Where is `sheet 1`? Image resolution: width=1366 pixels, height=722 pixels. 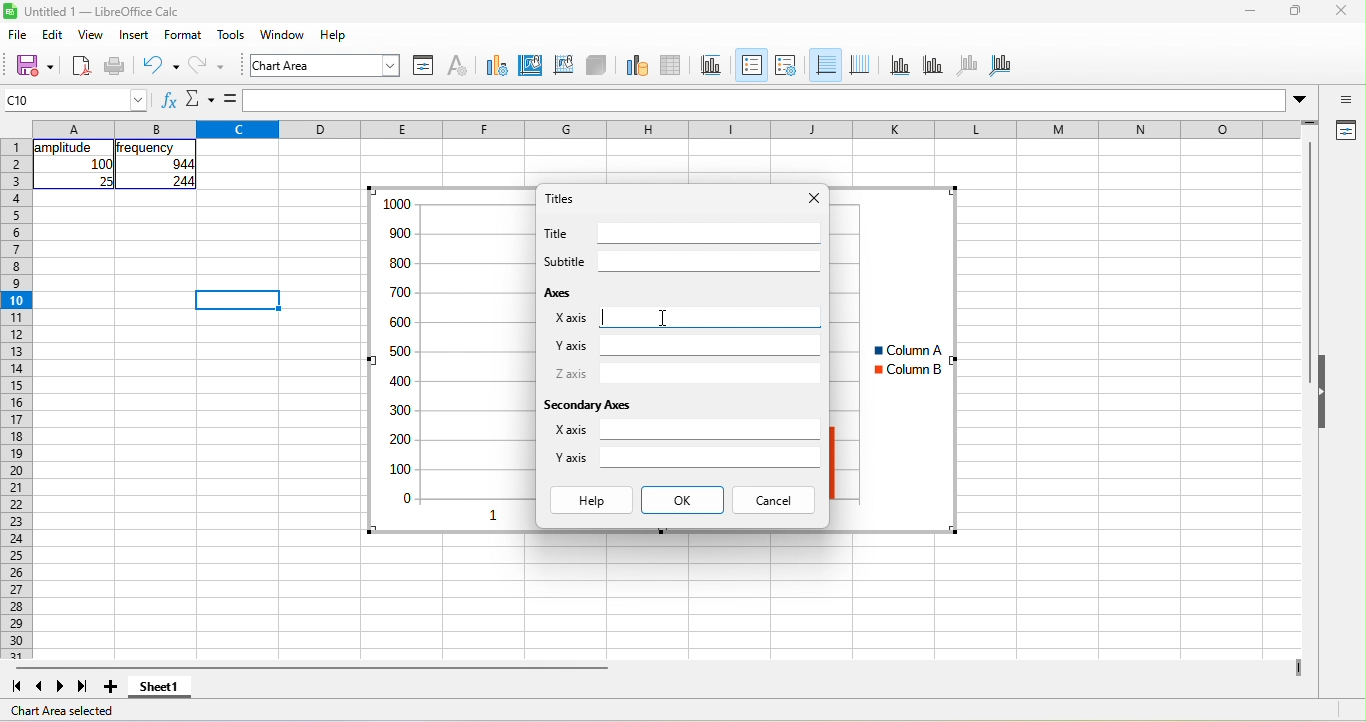 sheet 1 is located at coordinates (160, 687).